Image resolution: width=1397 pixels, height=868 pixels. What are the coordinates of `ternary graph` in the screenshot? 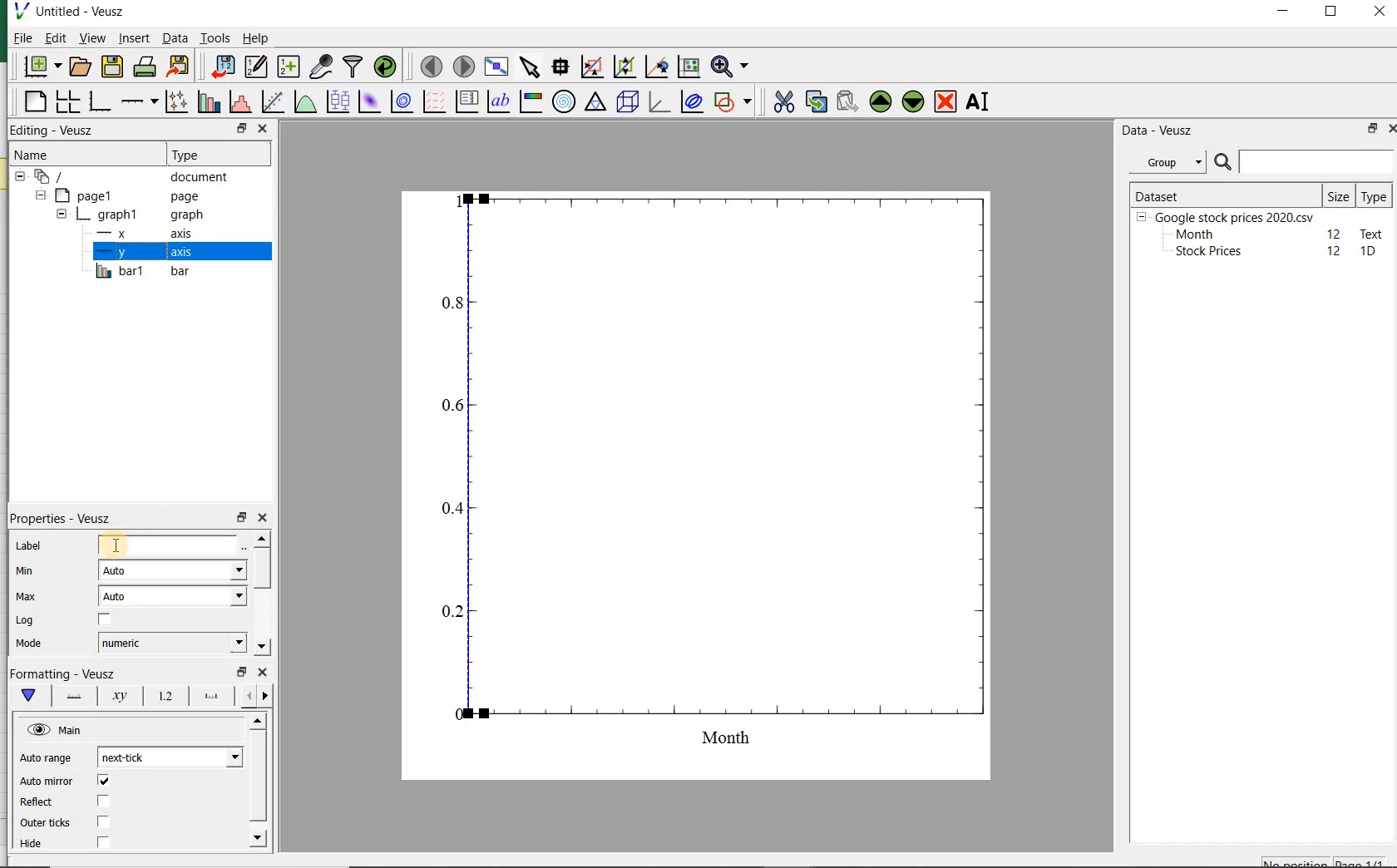 It's located at (595, 103).